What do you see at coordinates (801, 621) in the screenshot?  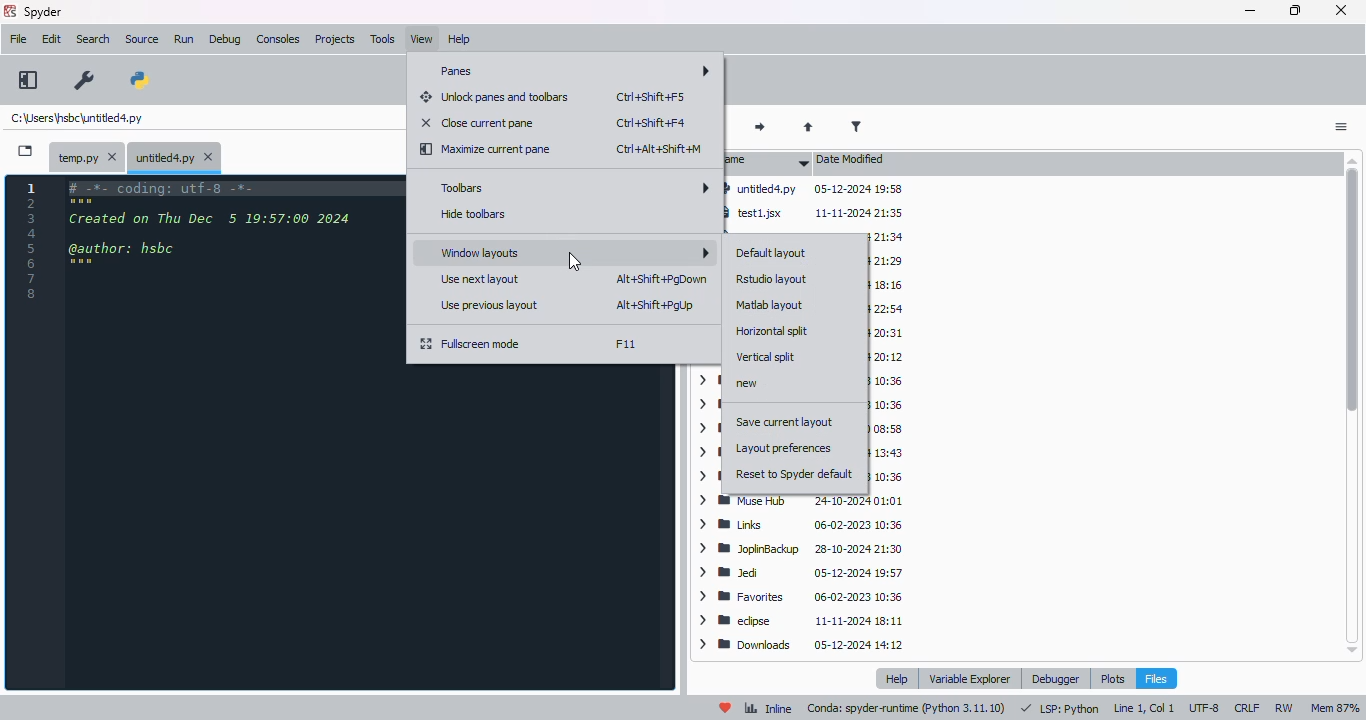 I see `eclipse` at bounding box center [801, 621].